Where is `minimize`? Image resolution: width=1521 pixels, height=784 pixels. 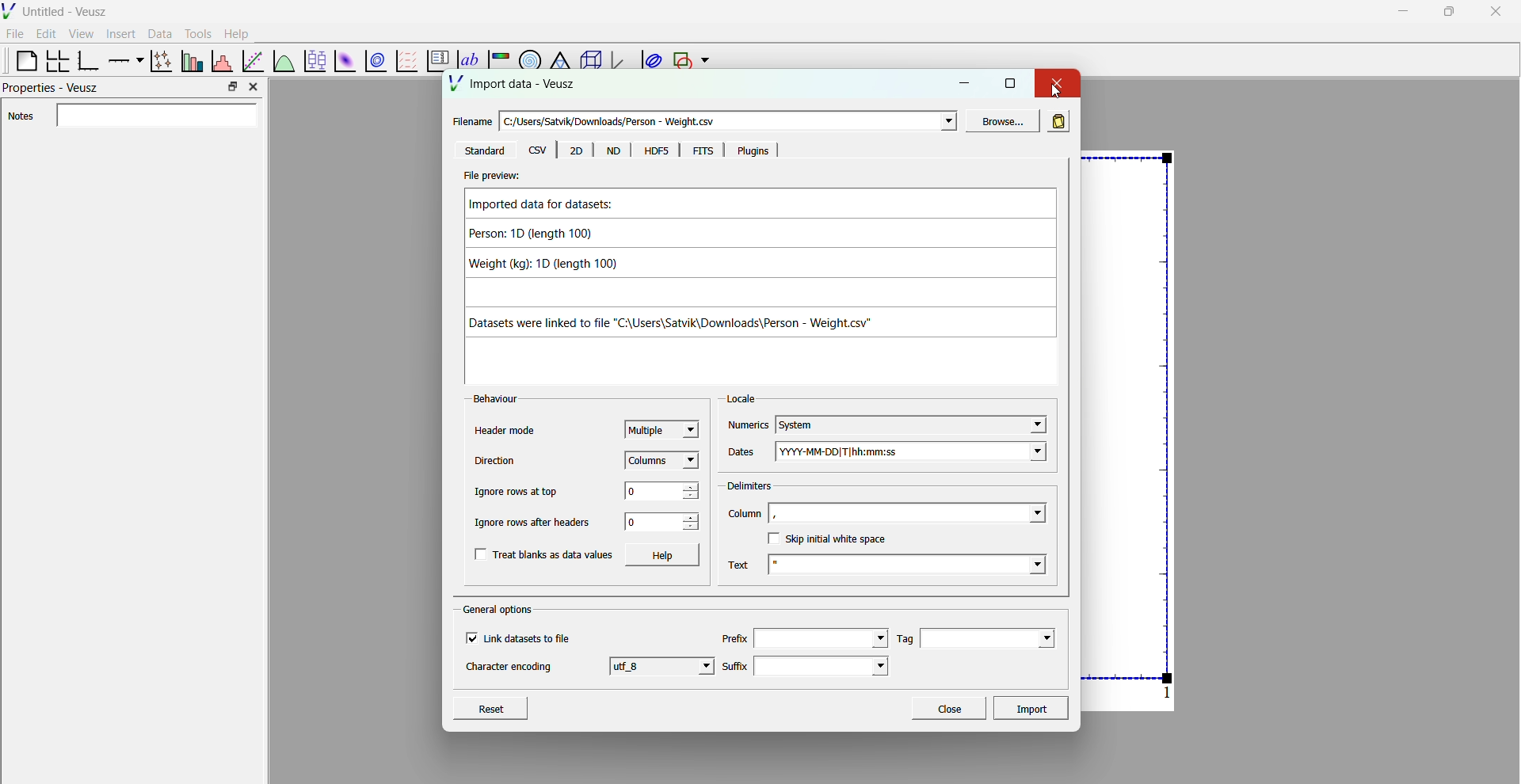
minimize is located at coordinates (1401, 10).